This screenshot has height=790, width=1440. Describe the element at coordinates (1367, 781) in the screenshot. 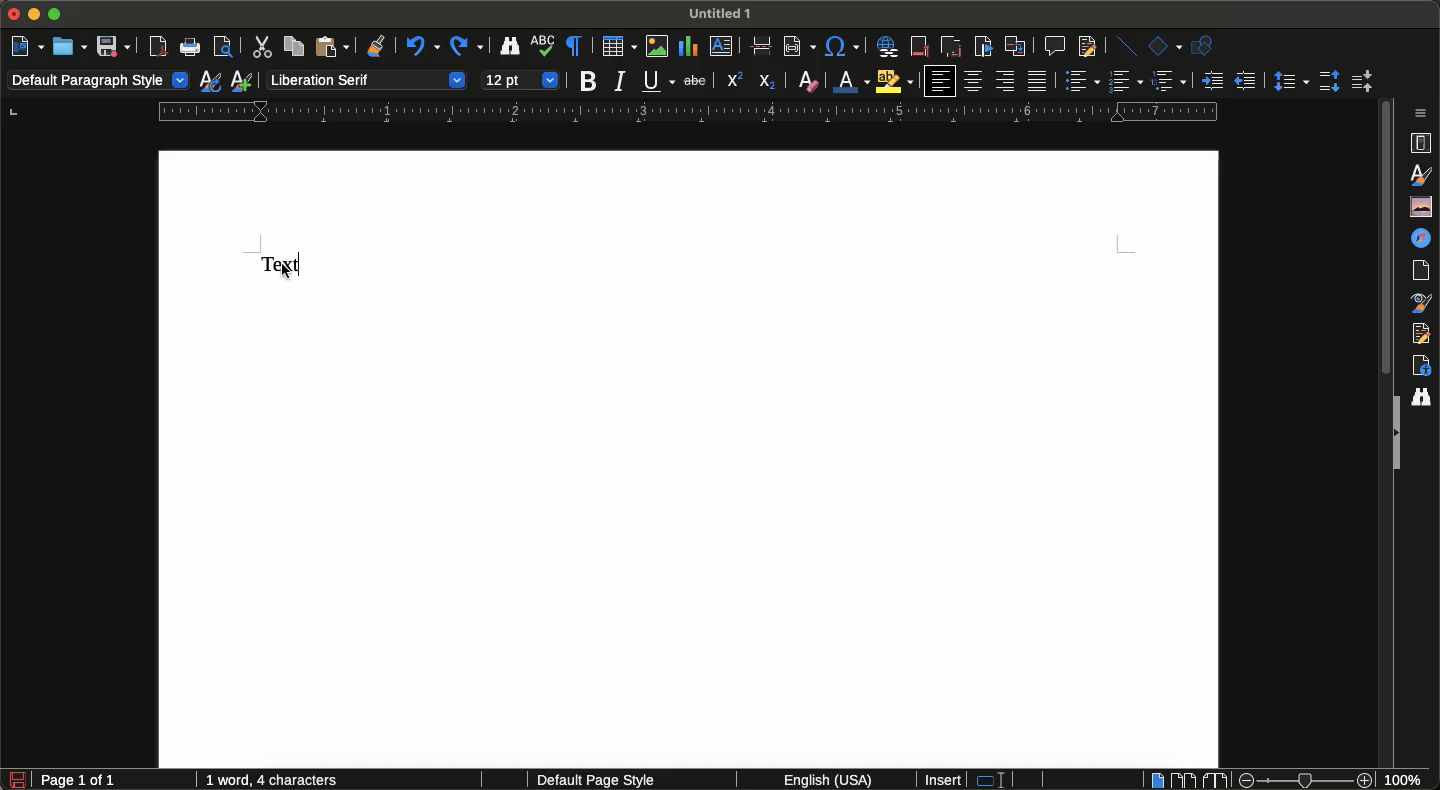

I see `Zoom in` at that location.